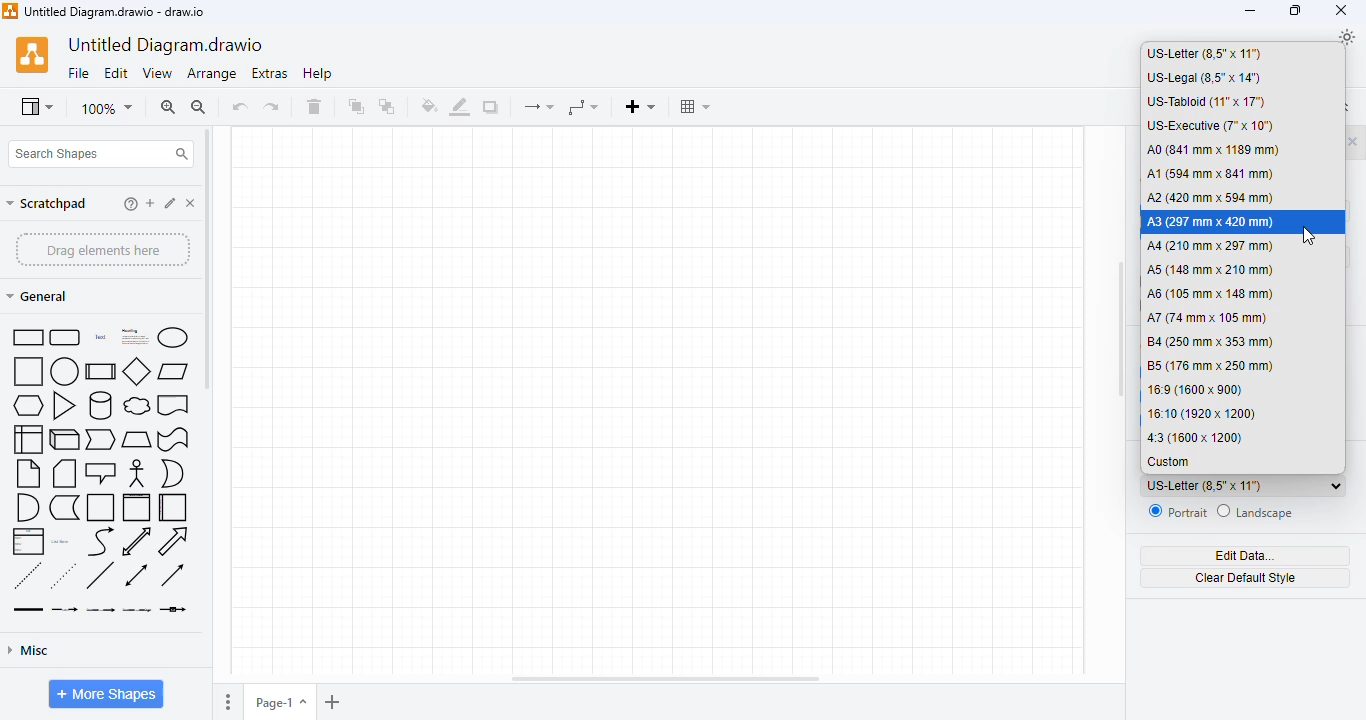 This screenshot has height=720, width=1366. I want to click on parallelogram, so click(173, 372).